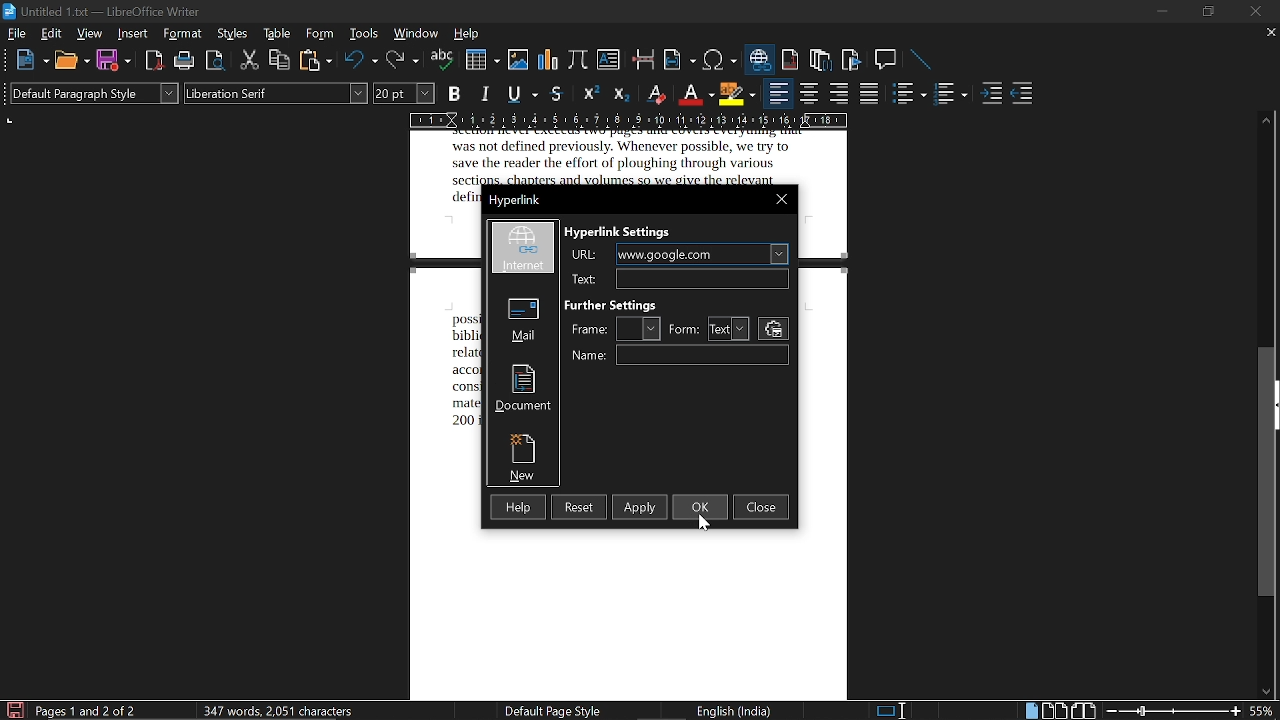 Image resolution: width=1280 pixels, height=720 pixels. What do you see at coordinates (887, 60) in the screenshot?
I see `insert comment` at bounding box center [887, 60].